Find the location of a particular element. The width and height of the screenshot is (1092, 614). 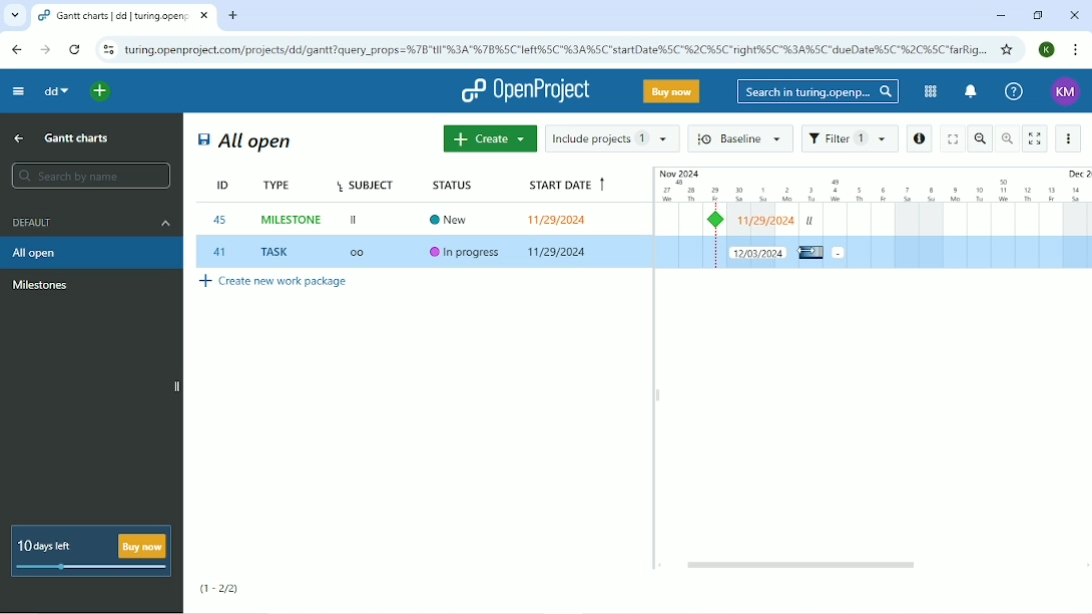

Site is located at coordinates (557, 49).